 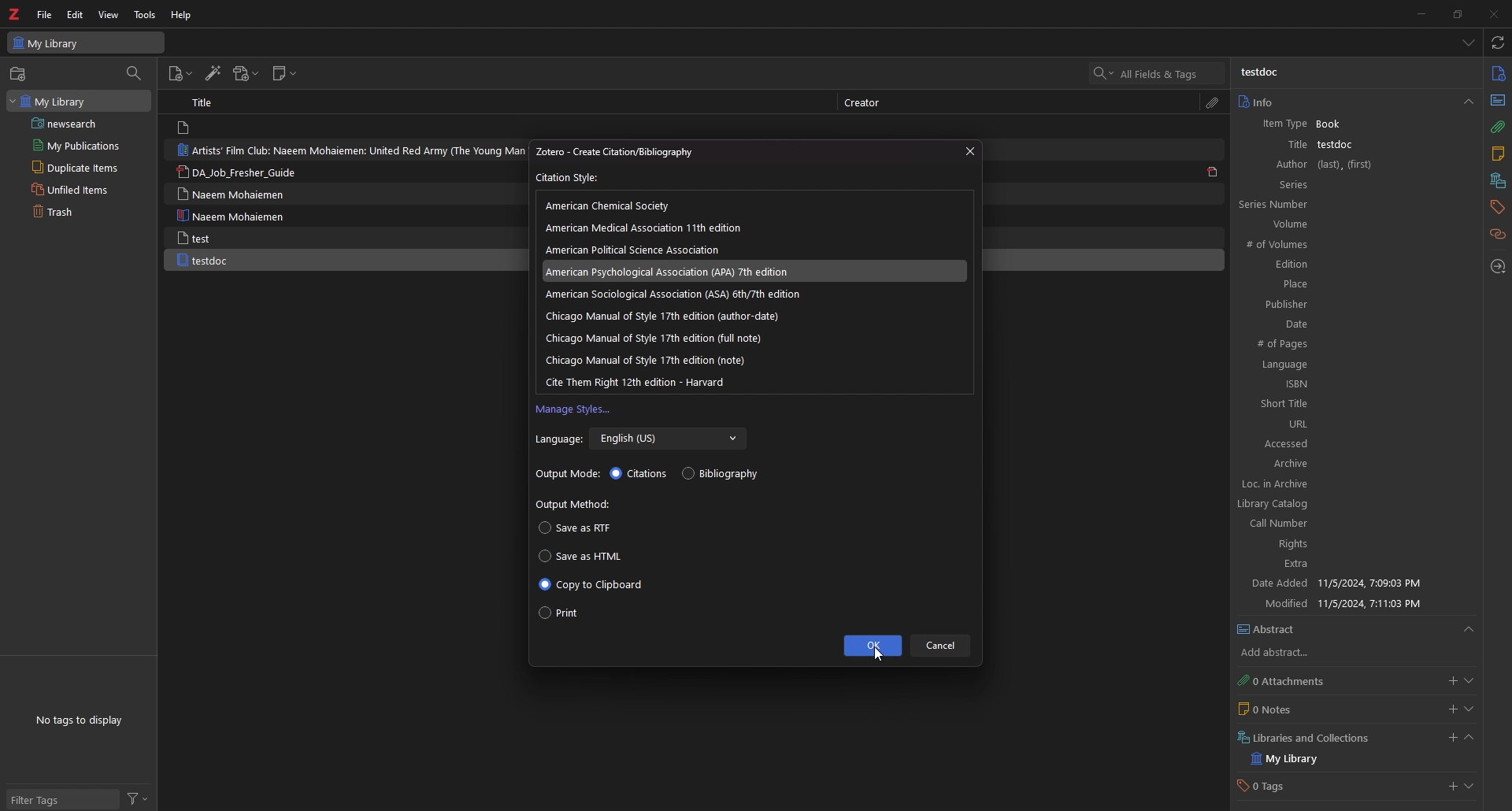 What do you see at coordinates (1341, 524) in the screenshot?
I see `Call Number` at bounding box center [1341, 524].